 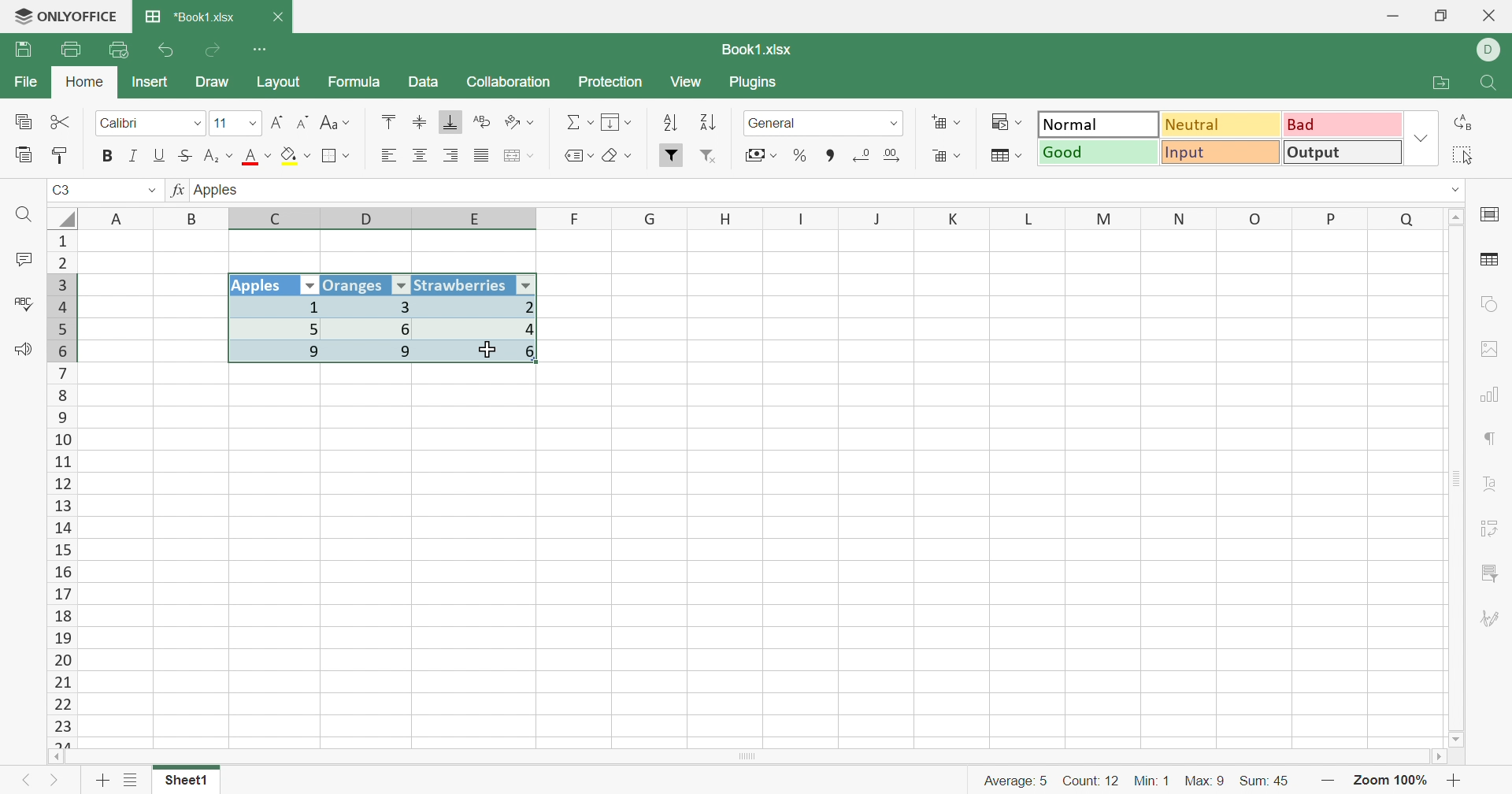 What do you see at coordinates (195, 218) in the screenshot?
I see `B` at bounding box center [195, 218].